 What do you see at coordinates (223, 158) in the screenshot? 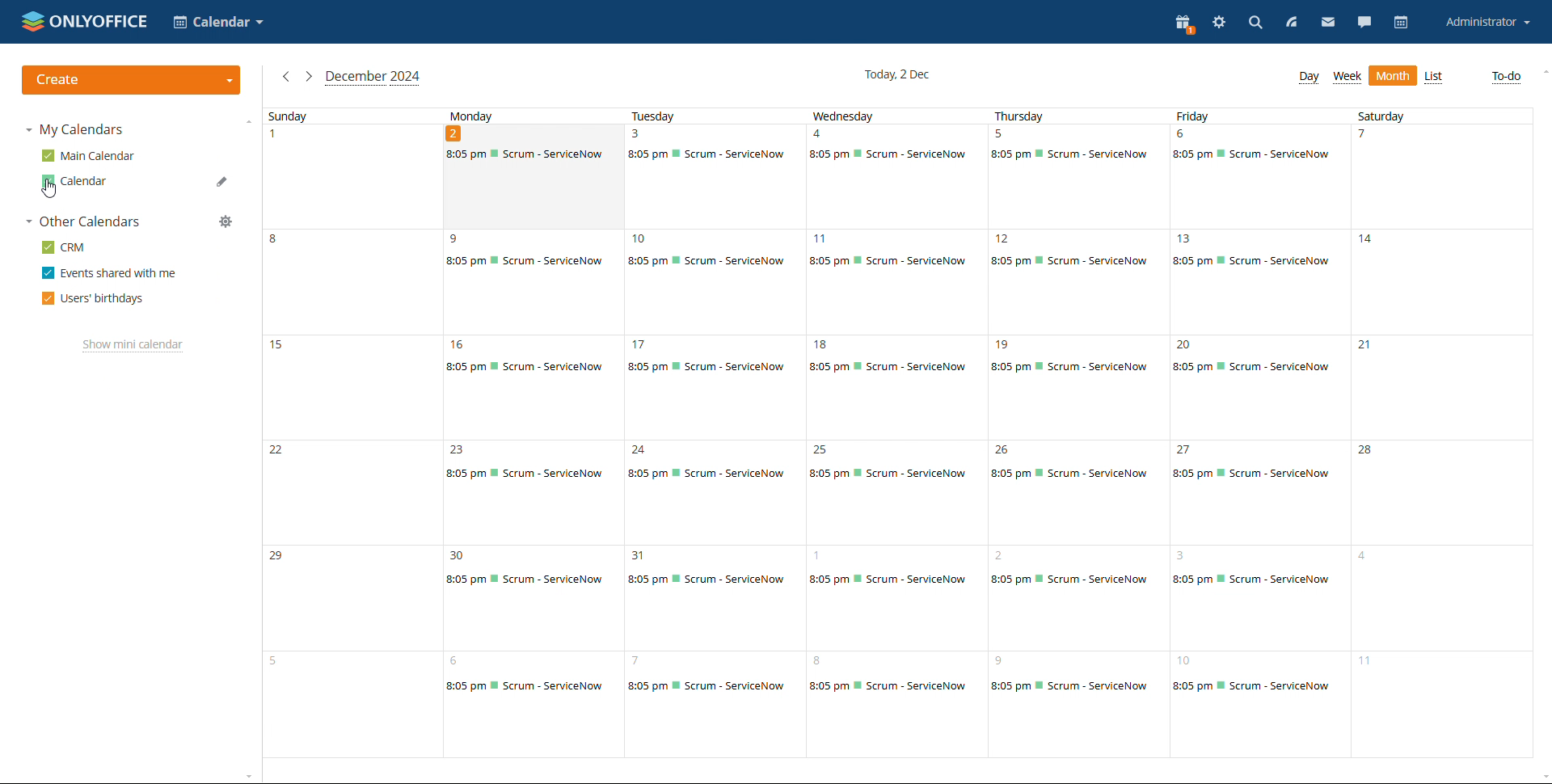
I see `edit` at bounding box center [223, 158].